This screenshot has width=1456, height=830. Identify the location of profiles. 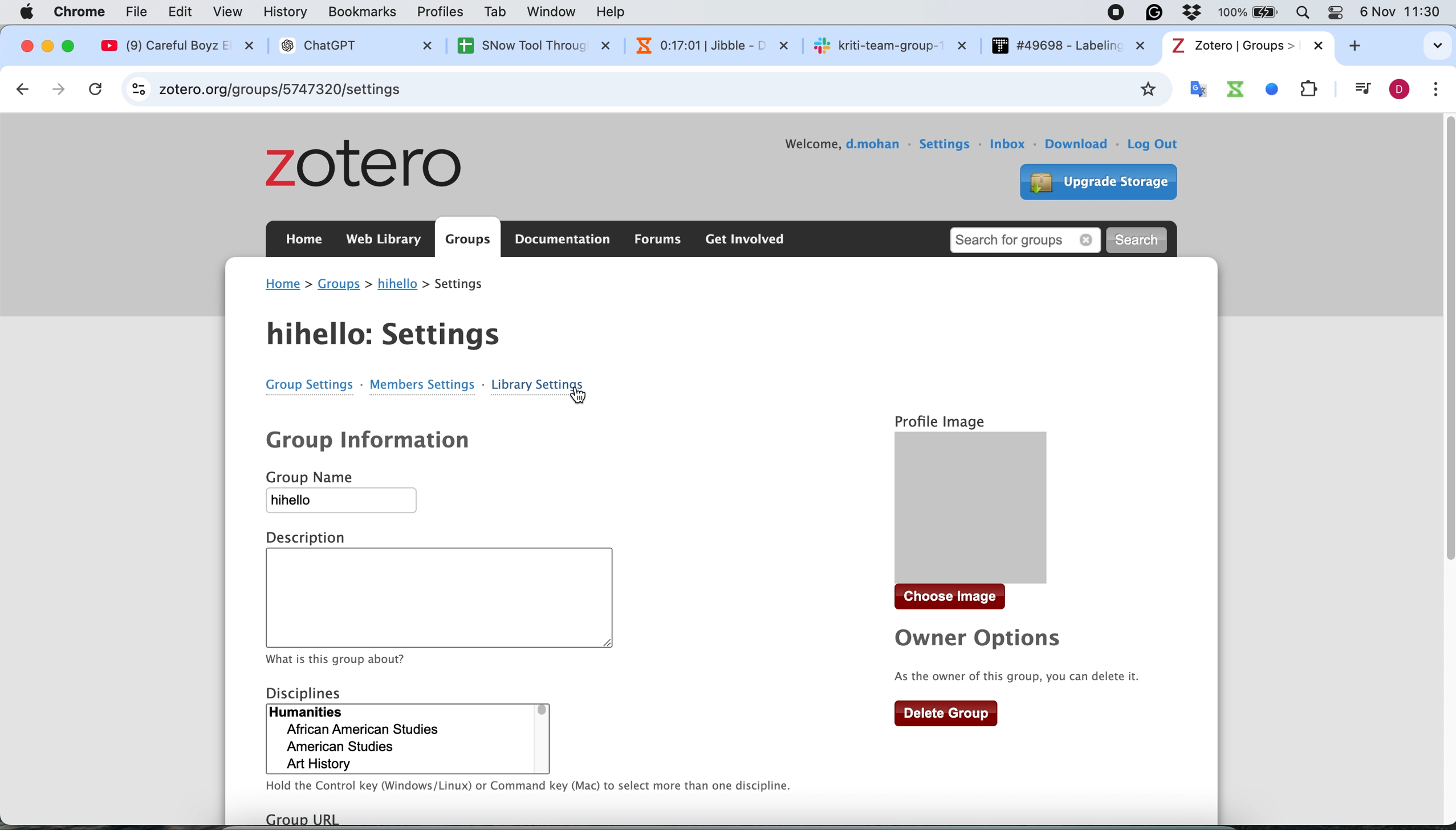
(442, 11).